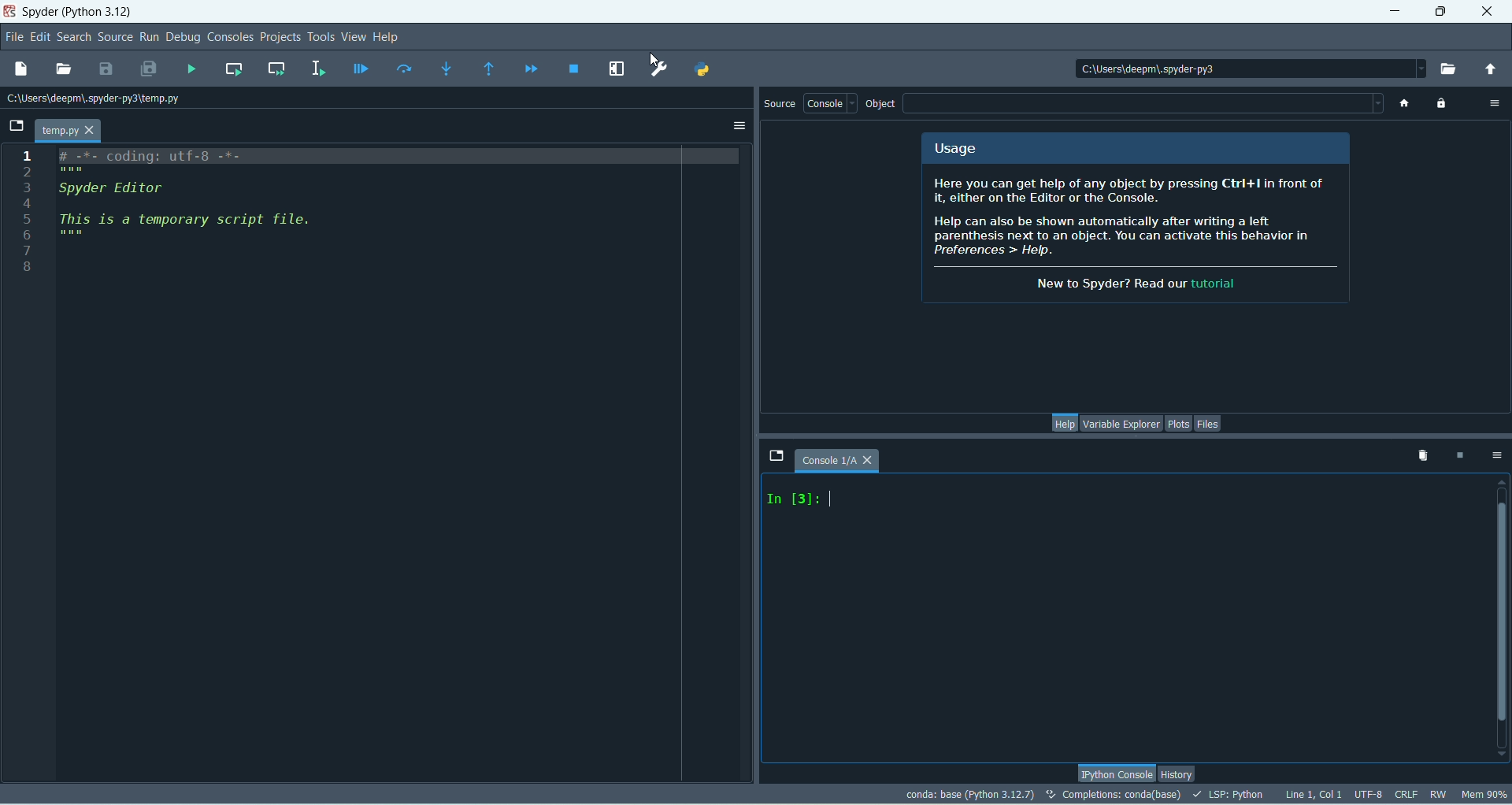  Describe the element at coordinates (39, 38) in the screenshot. I see `edit` at that location.